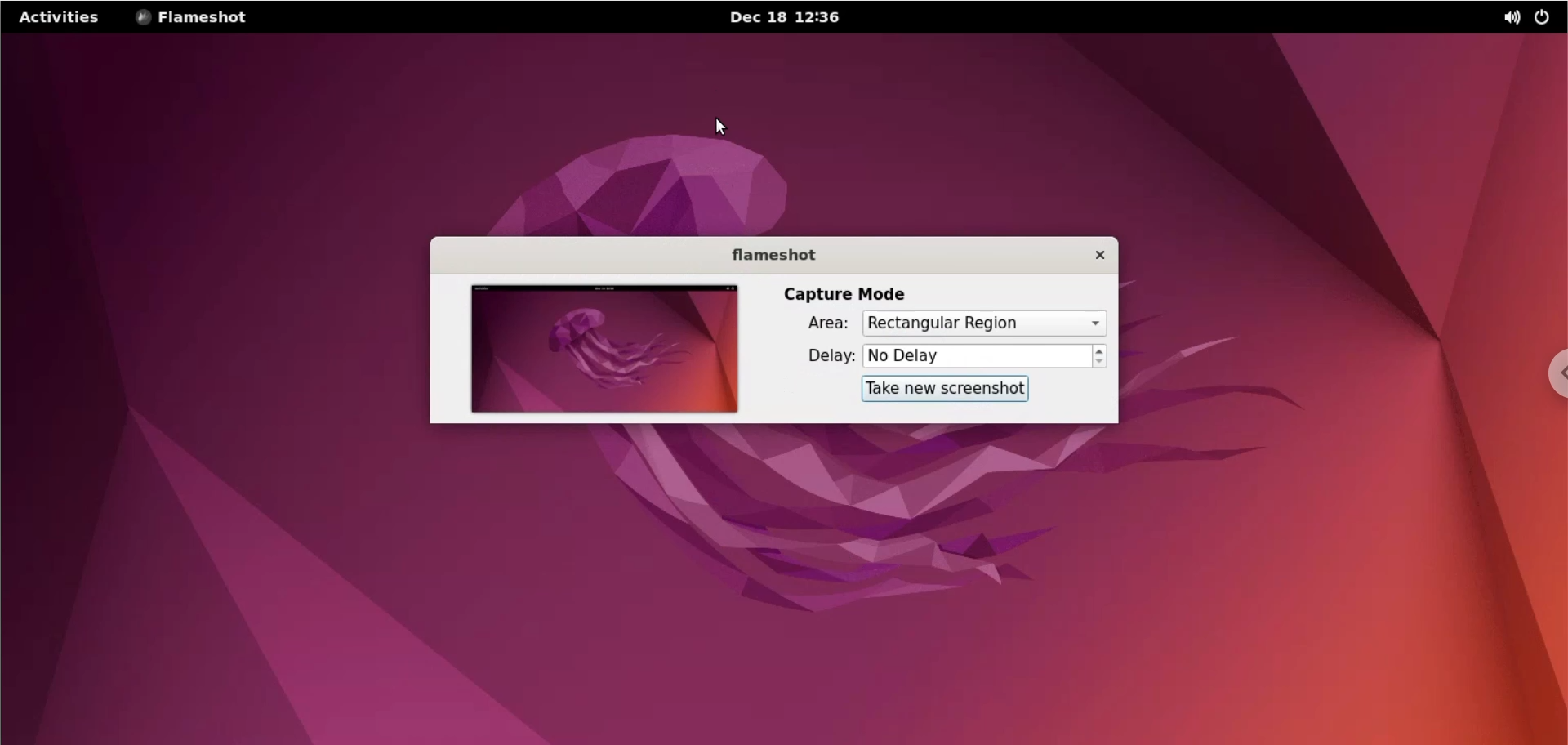 The image size is (1568, 745). Describe the element at coordinates (62, 19) in the screenshot. I see `Activities` at that location.